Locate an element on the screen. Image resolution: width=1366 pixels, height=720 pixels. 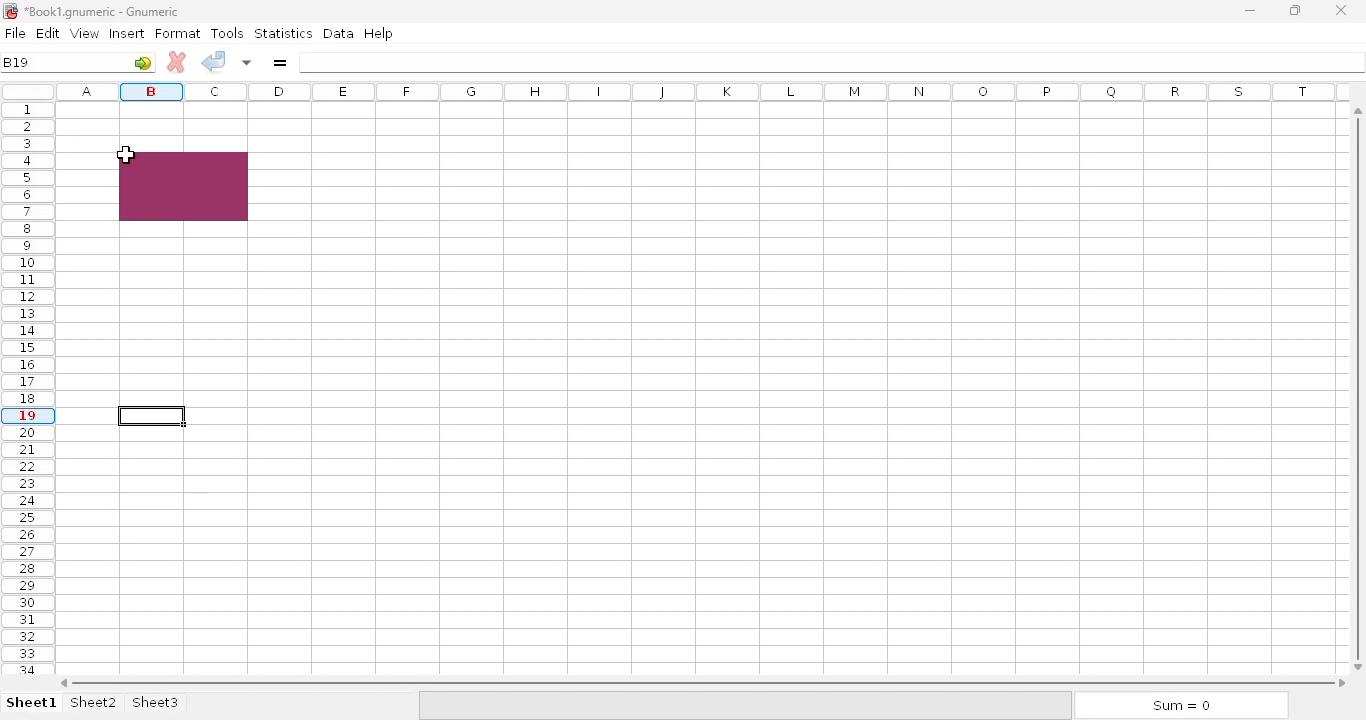
help is located at coordinates (378, 34).